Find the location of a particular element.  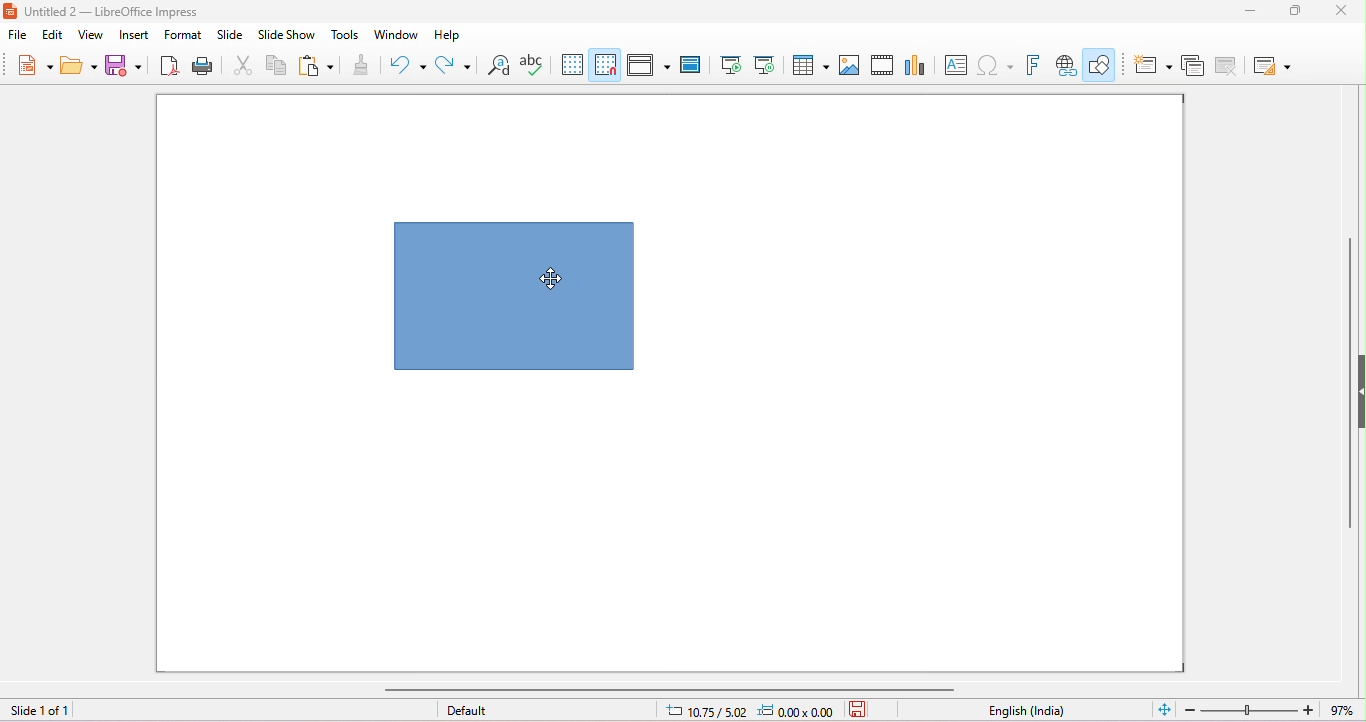

help is located at coordinates (450, 35).